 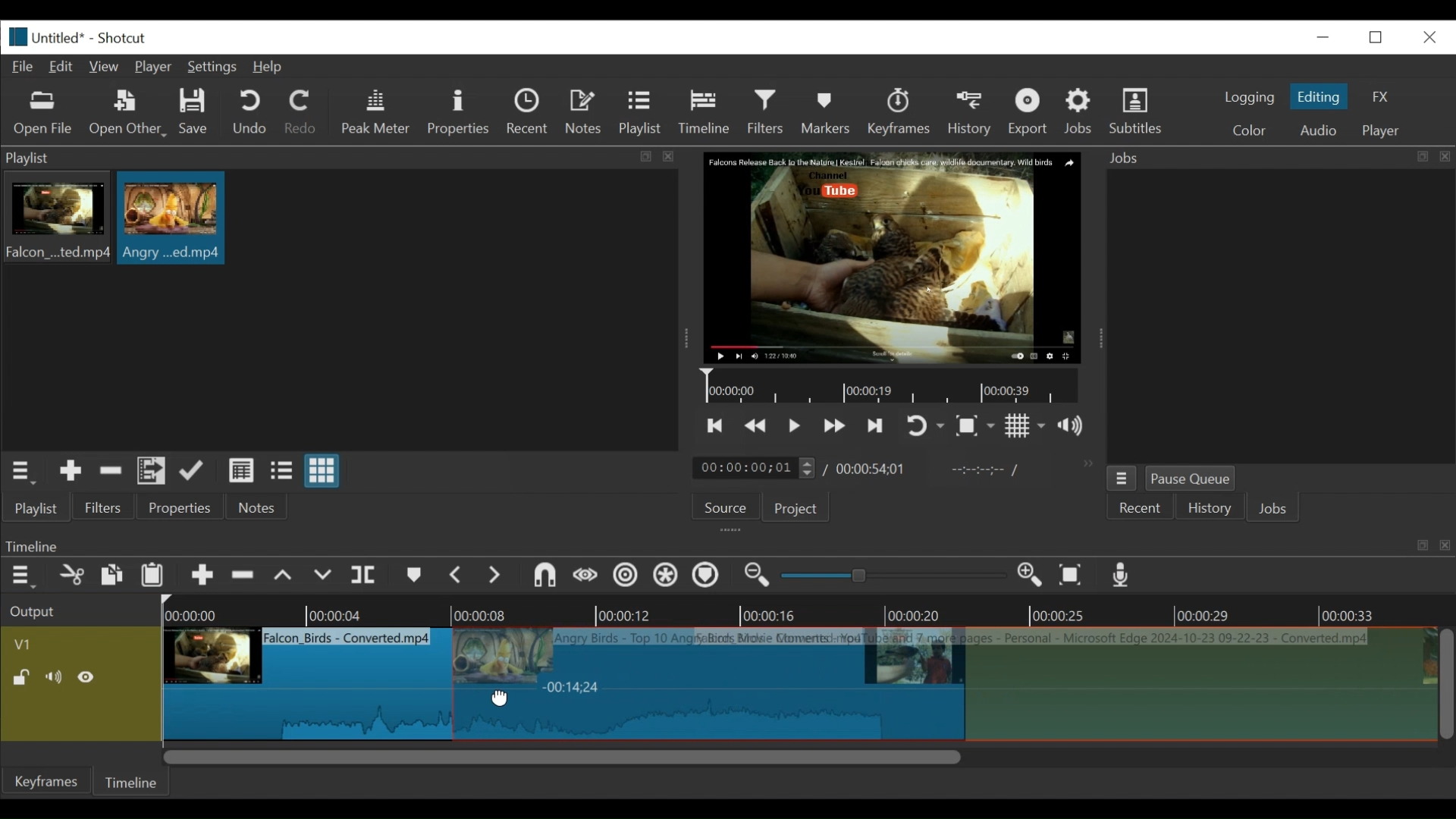 What do you see at coordinates (1269, 156) in the screenshot?
I see `Jobs menu` at bounding box center [1269, 156].